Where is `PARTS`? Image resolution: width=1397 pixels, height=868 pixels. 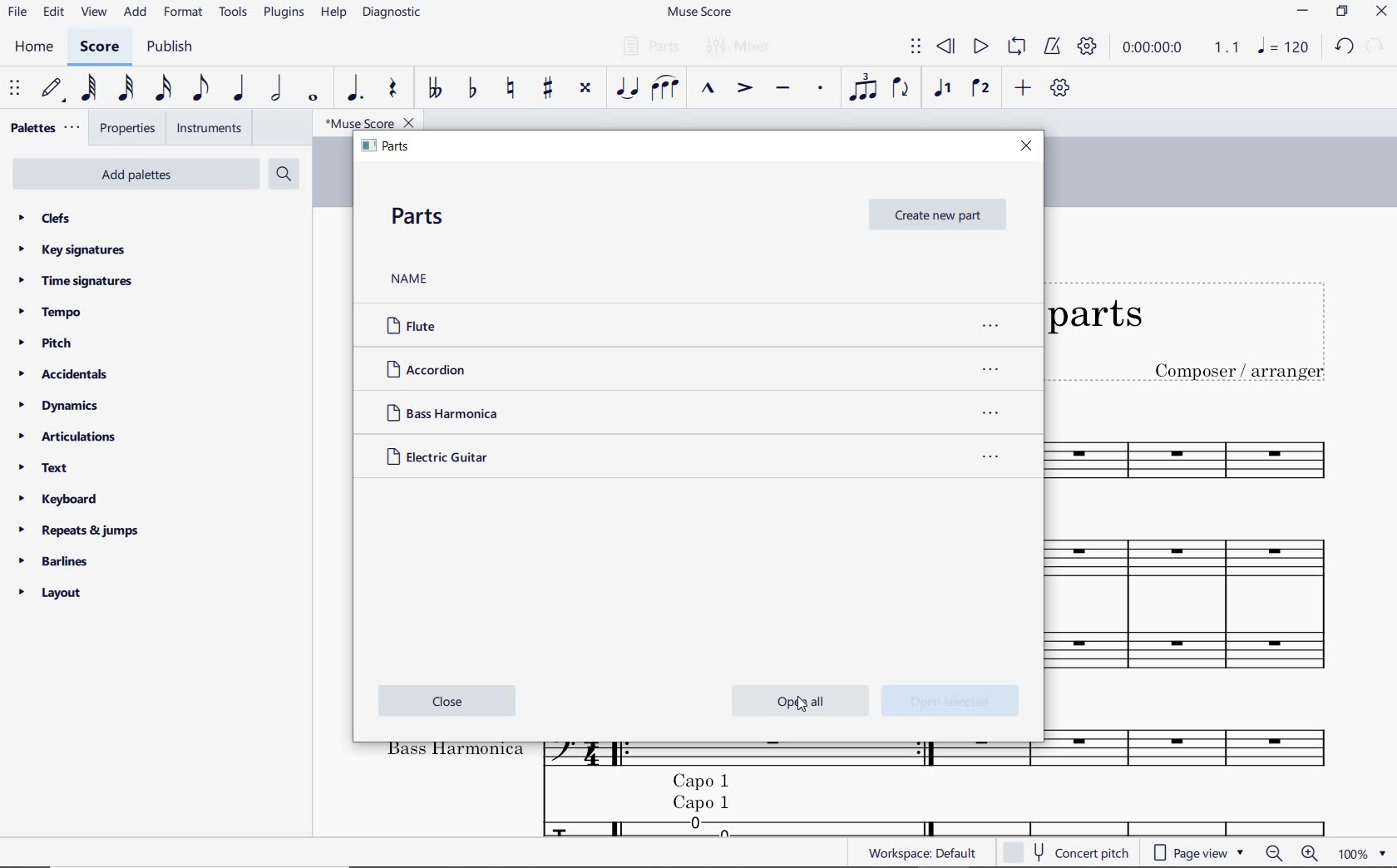
PARTS is located at coordinates (391, 149).